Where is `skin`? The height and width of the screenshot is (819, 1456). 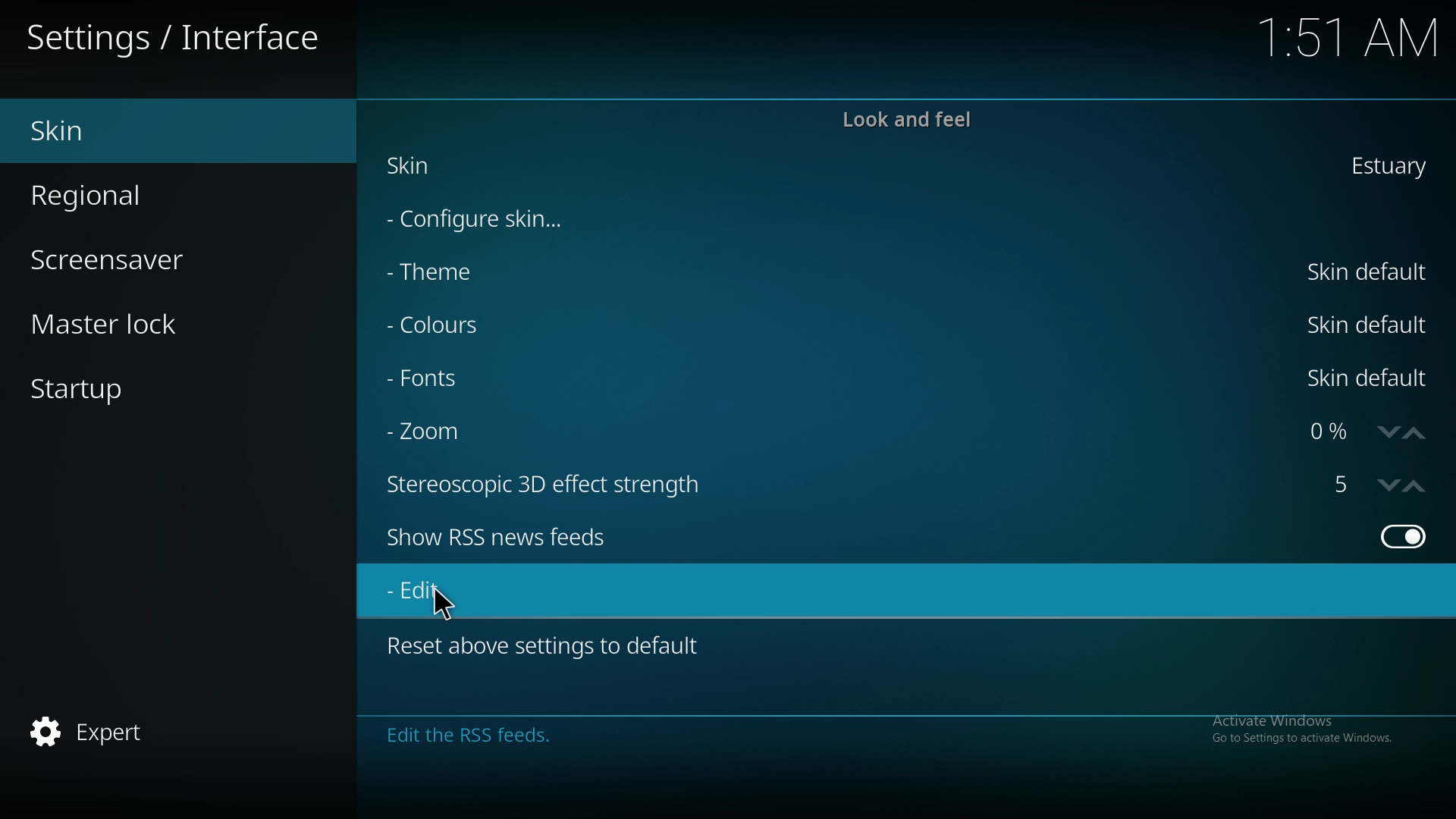
skin is located at coordinates (420, 168).